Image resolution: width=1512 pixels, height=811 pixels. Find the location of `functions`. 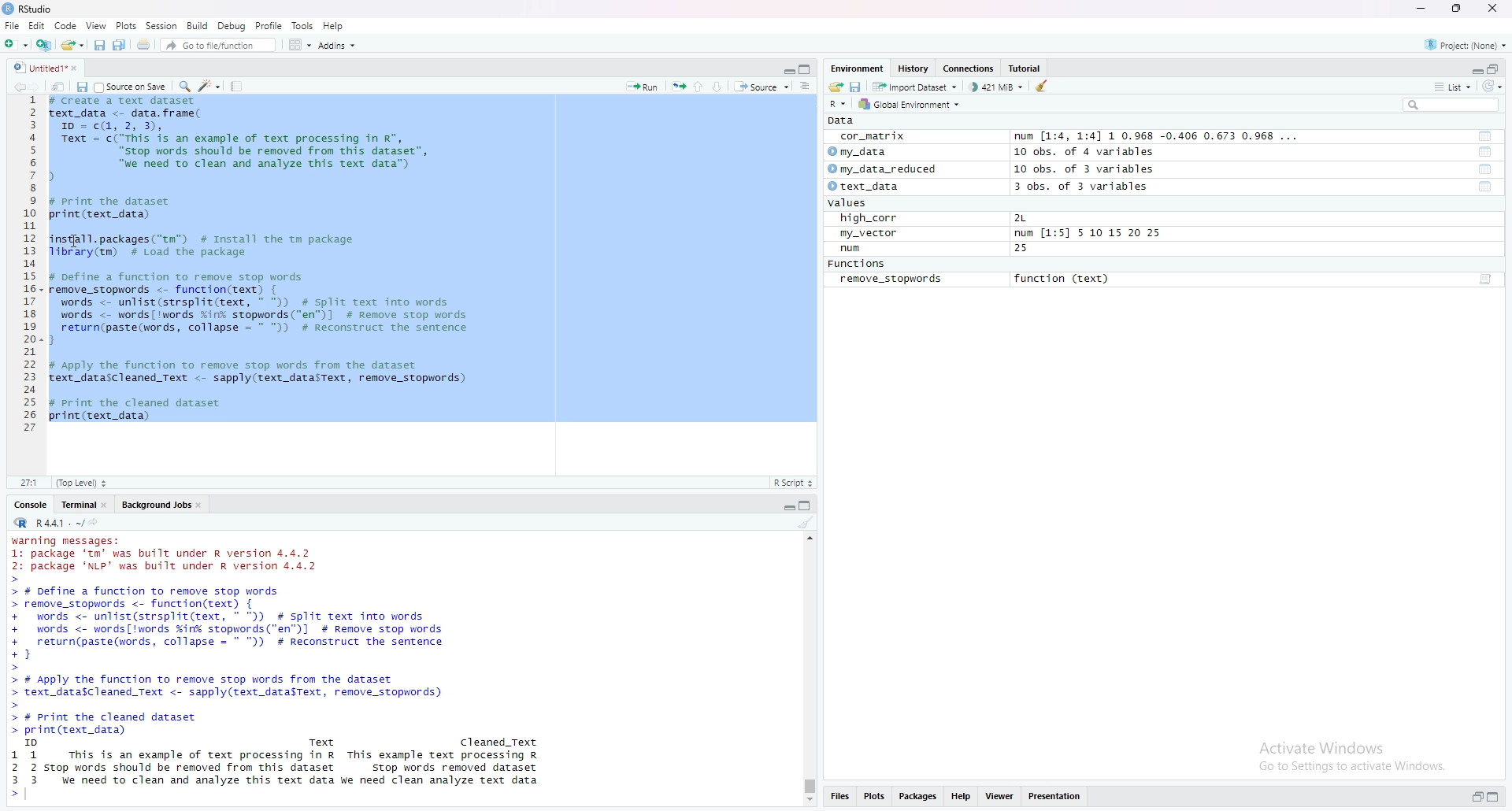

functions is located at coordinates (1487, 153).